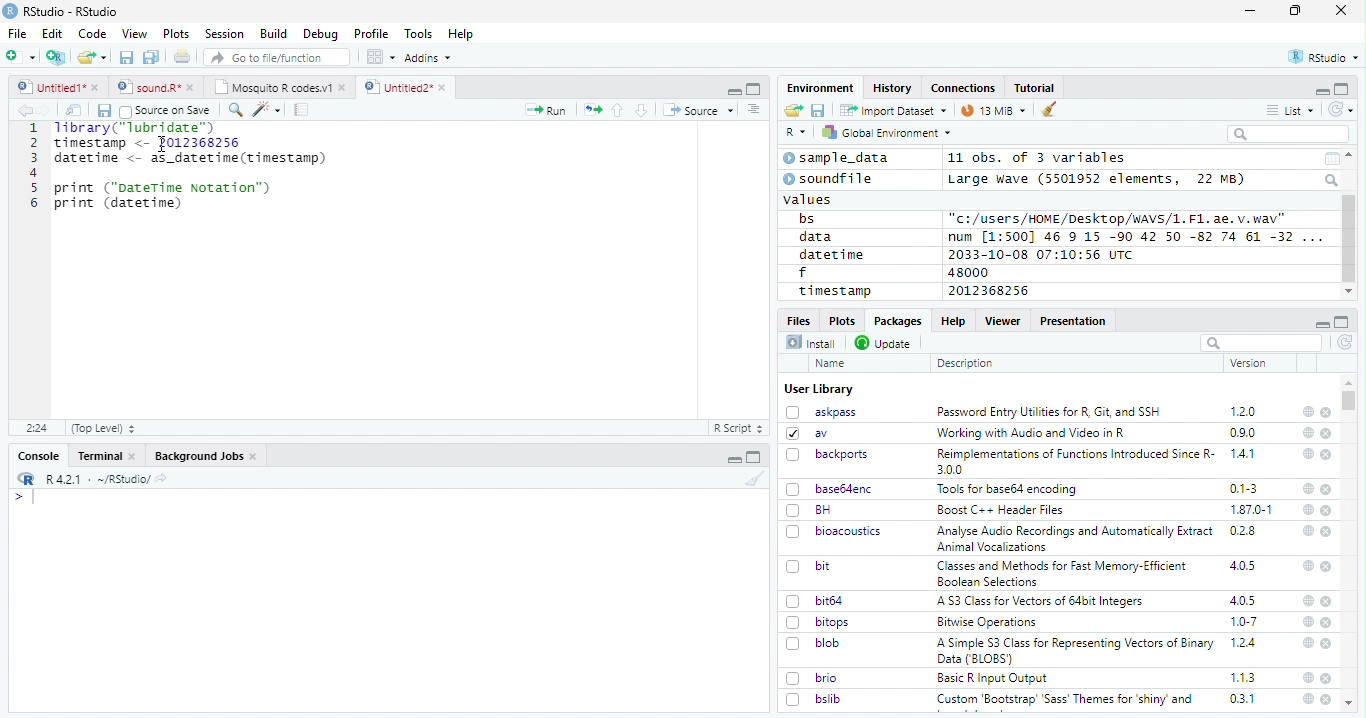 The width and height of the screenshot is (1366, 718). Describe the element at coordinates (1009, 489) in the screenshot. I see `Tools for baseb4 encoding` at that location.